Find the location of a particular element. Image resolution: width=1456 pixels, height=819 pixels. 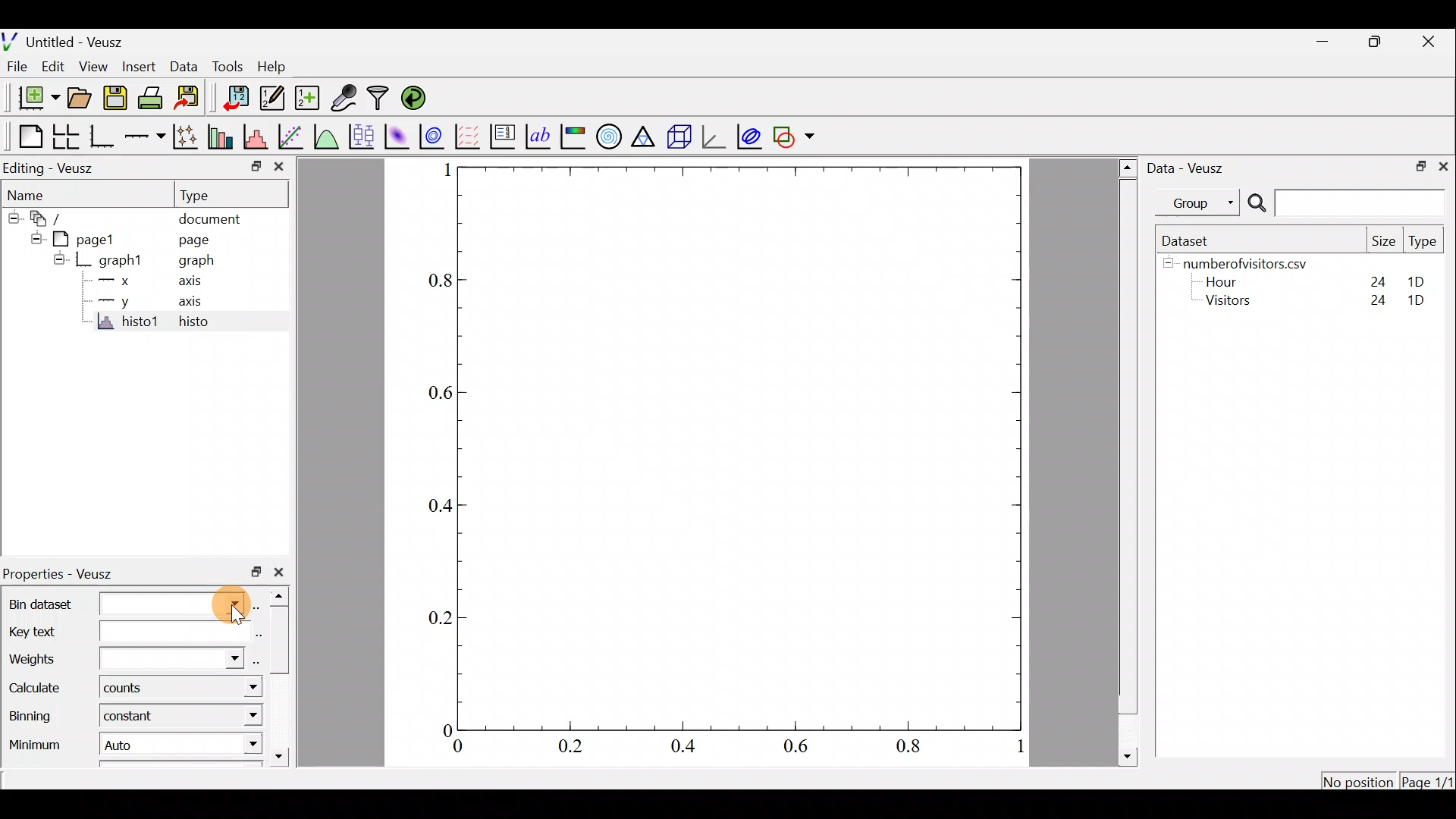

Name is located at coordinates (30, 192).